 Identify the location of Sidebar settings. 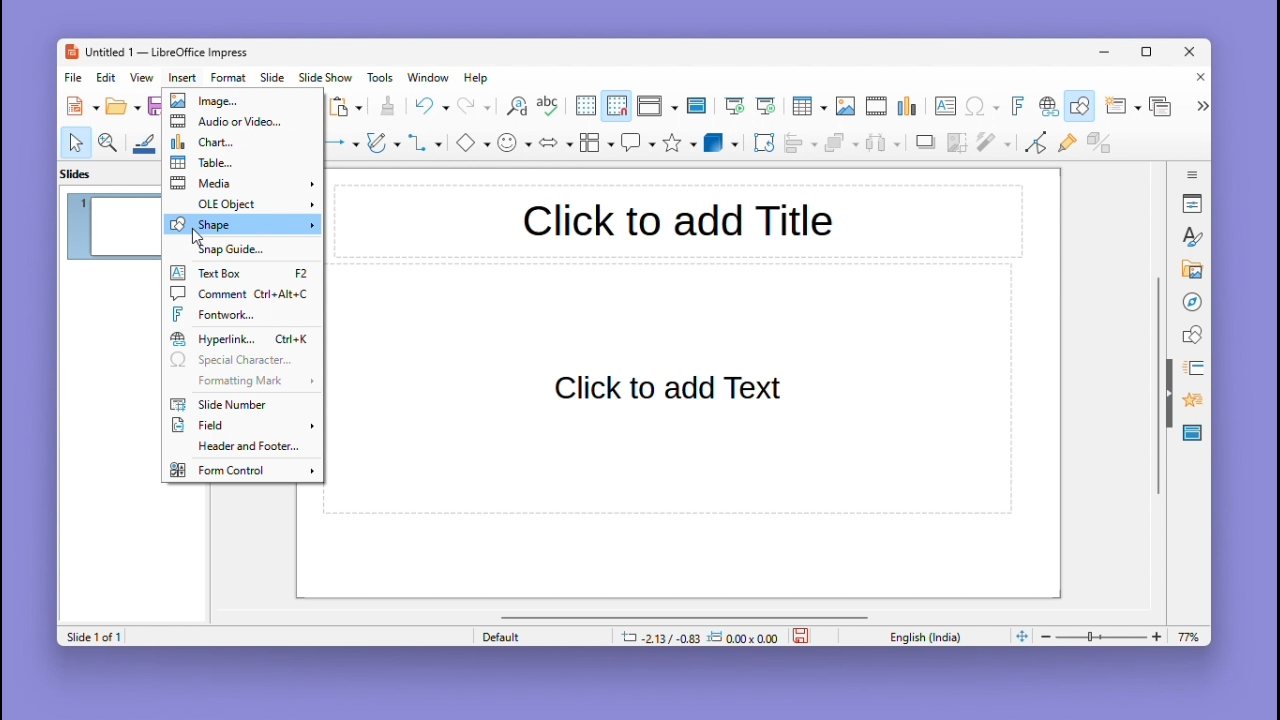
(1193, 172).